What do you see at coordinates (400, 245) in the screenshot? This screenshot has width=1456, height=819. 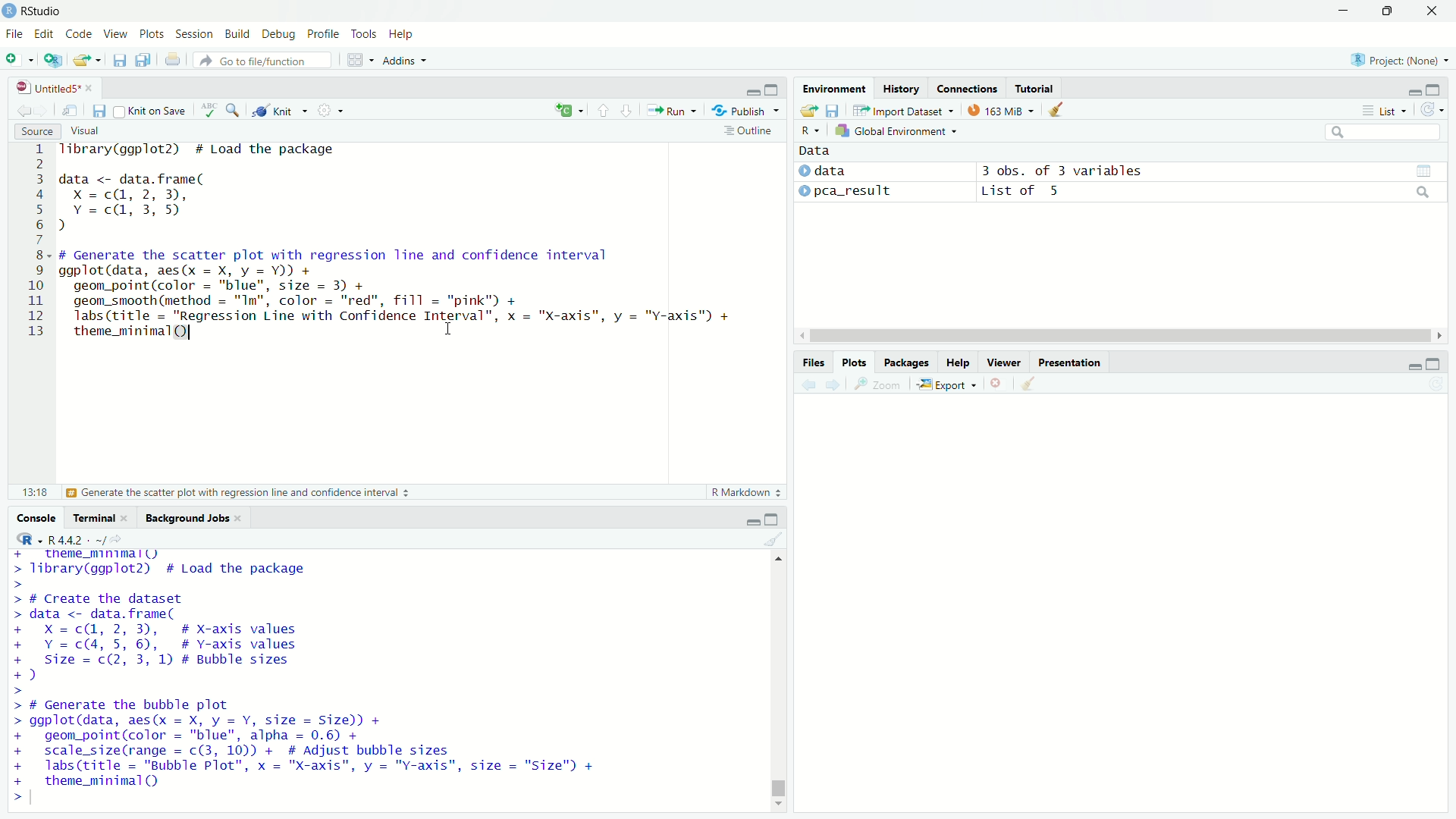 I see `Tibrary(ggplot2) # Load the package
data <- data.frame(
Xx =c(@, 2, 3),
Y =c@, 3,5)
d
# Generate the scatter plot with regression line and confidence interval
ggplot(data, aes(x = X, y = Y)) +
geom_point(color = "blue", size = 3) +
geom_smooth(method = "Im", color = "red", fill = "pink") +
labs(title = "Regression Line with Confidence Interval”, x = "X-axis", y = "Y-axis") +
theme_minimal(Q) I` at bounding box center [400, 245].